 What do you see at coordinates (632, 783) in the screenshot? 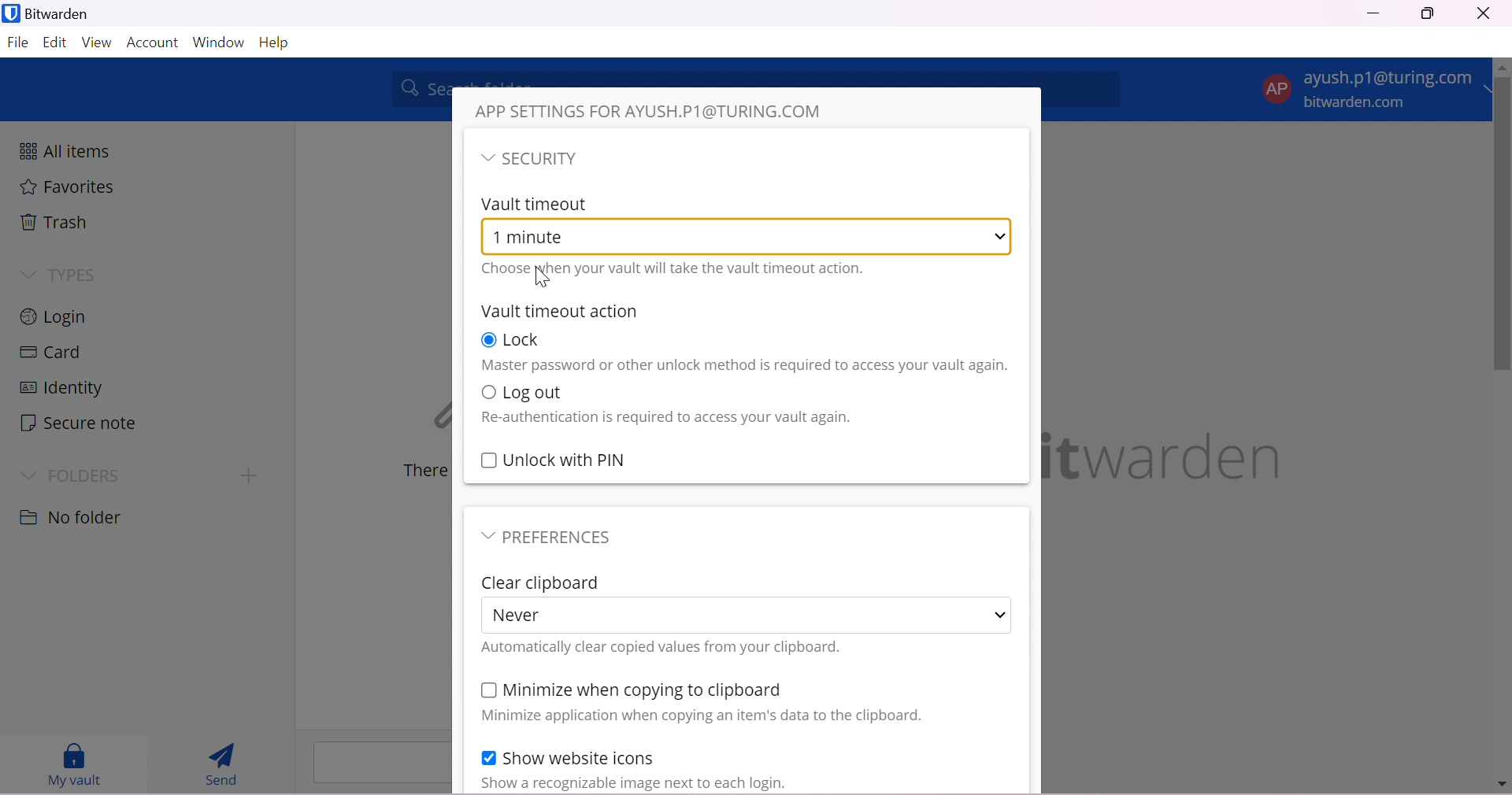
I see `Show a recognizable image nextto each login.` at bounding box center [632, 783].